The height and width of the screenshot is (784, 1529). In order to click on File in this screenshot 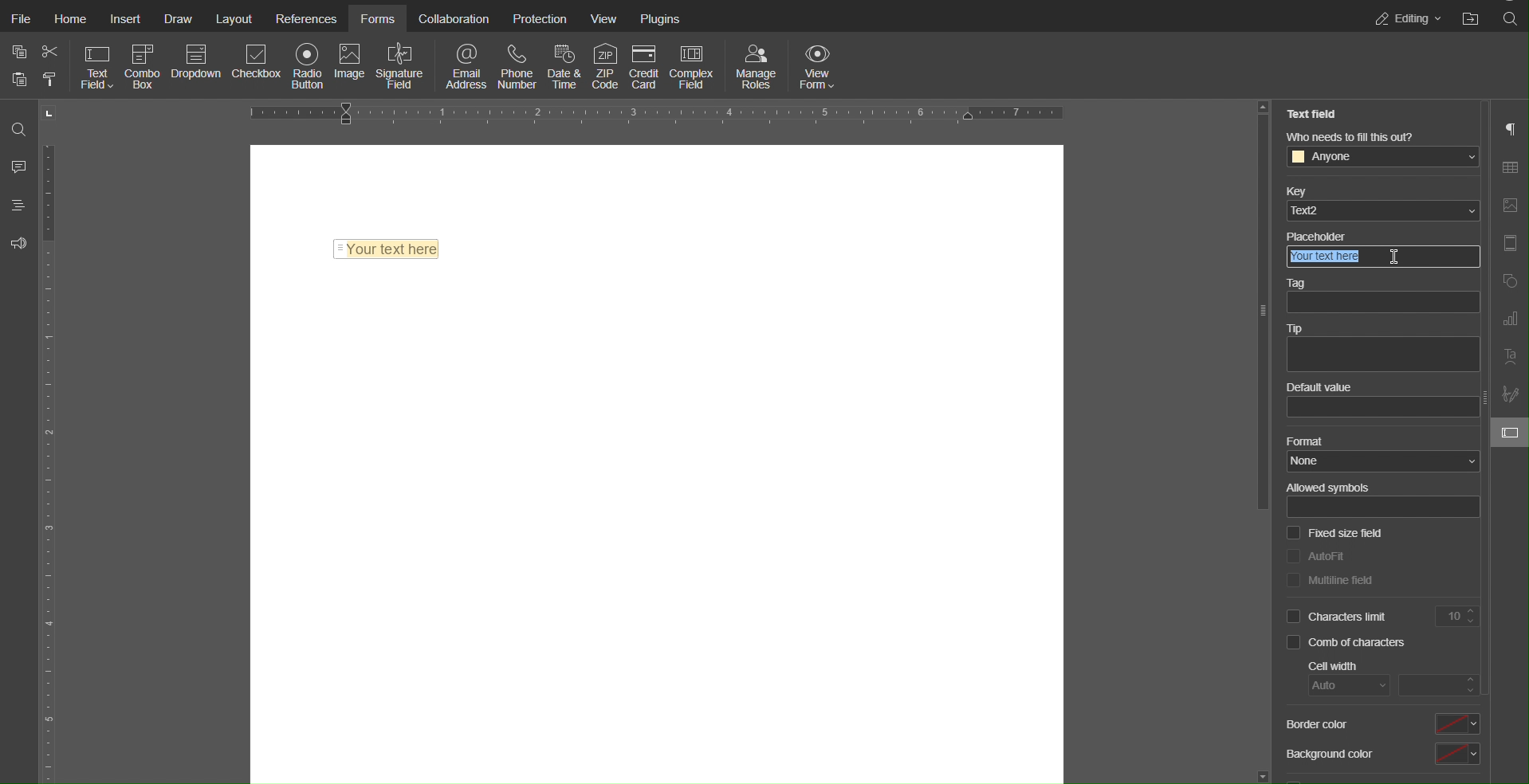, I will do `click(20, 20)`.